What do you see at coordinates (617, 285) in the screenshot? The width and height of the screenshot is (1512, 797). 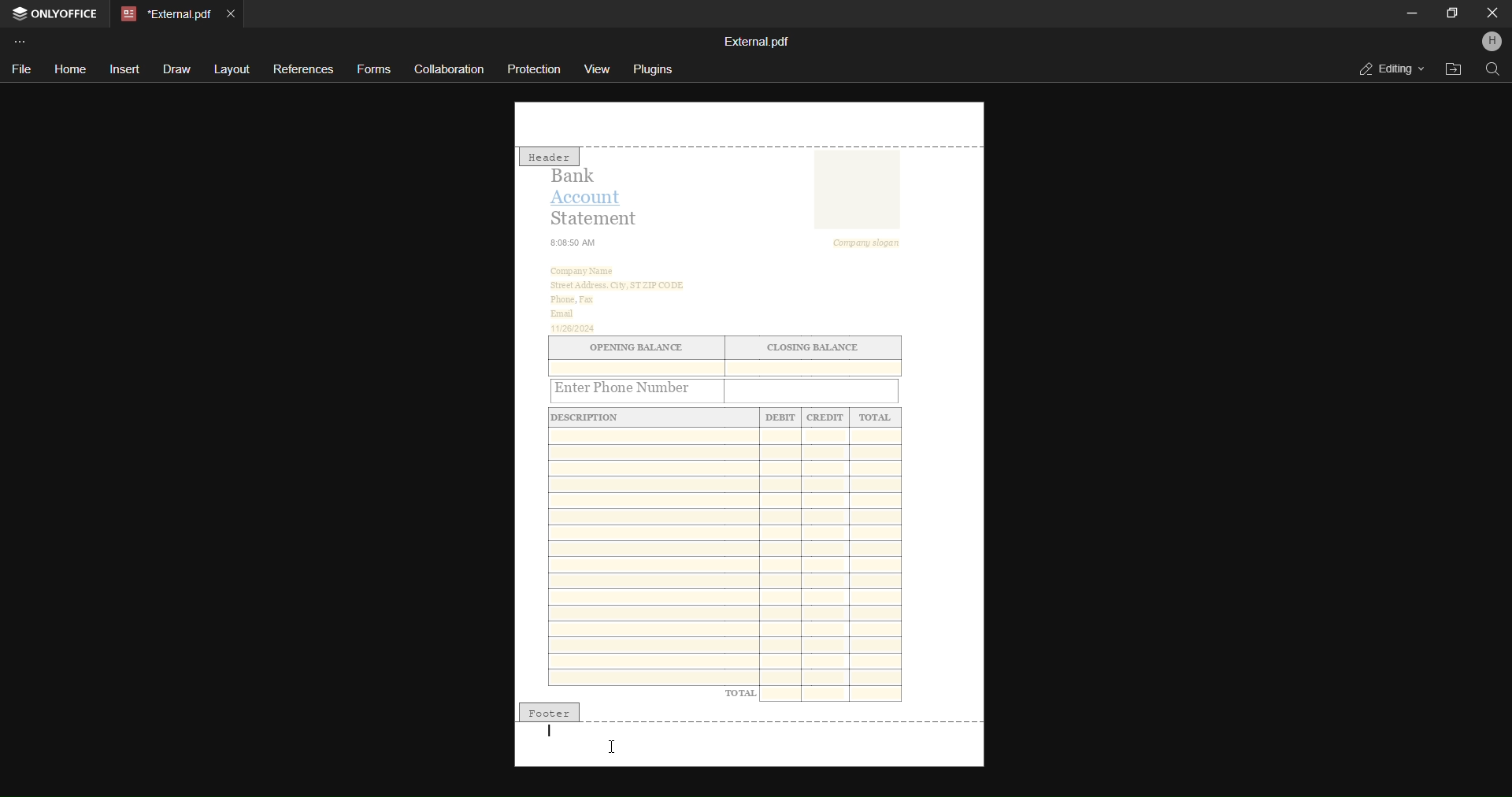 I see `‘Street Address. City, ST ZIP CODE` at bounding box center [617, 285].